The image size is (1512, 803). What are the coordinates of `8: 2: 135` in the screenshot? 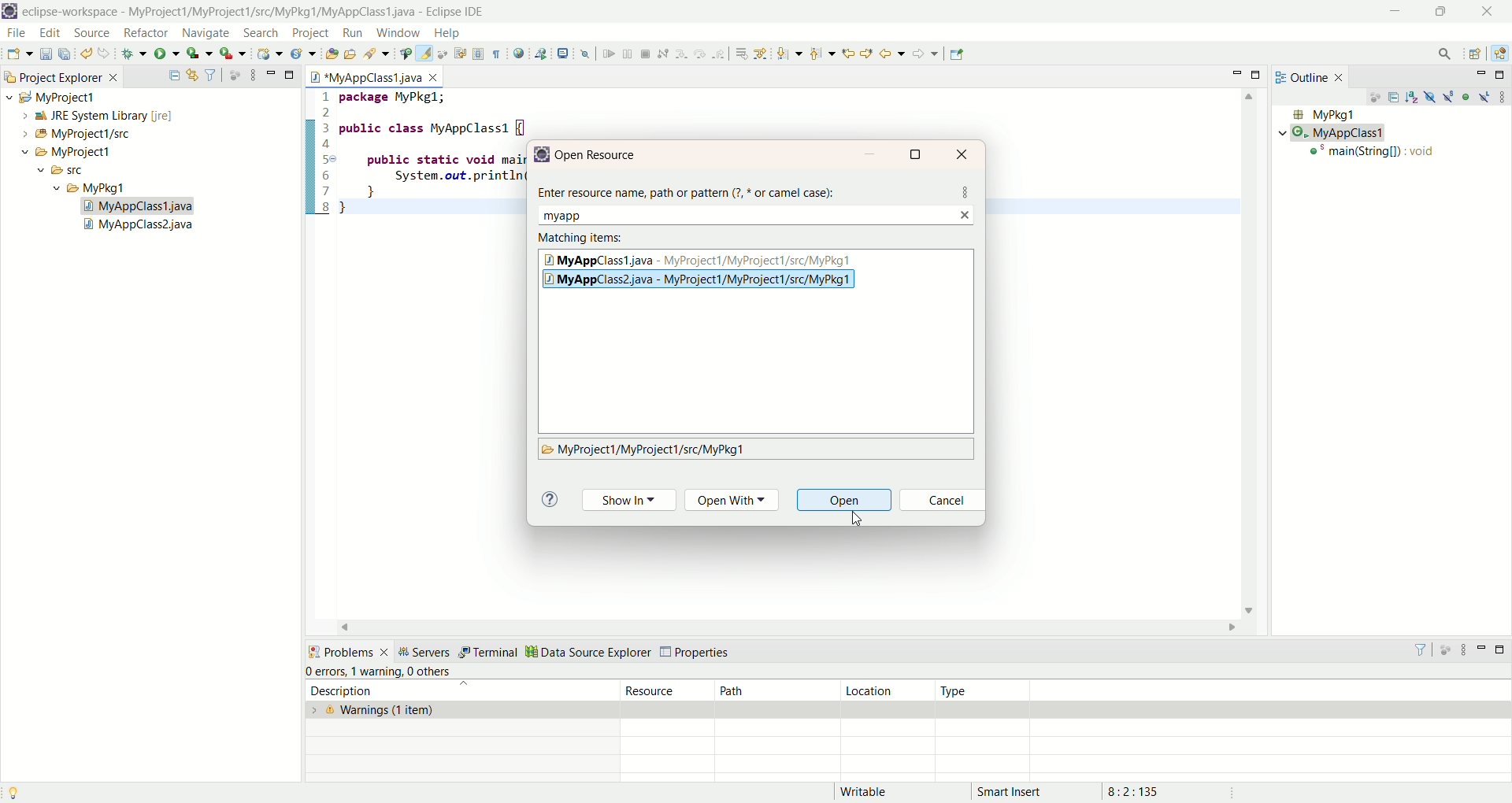 It's located at (1152, 790).